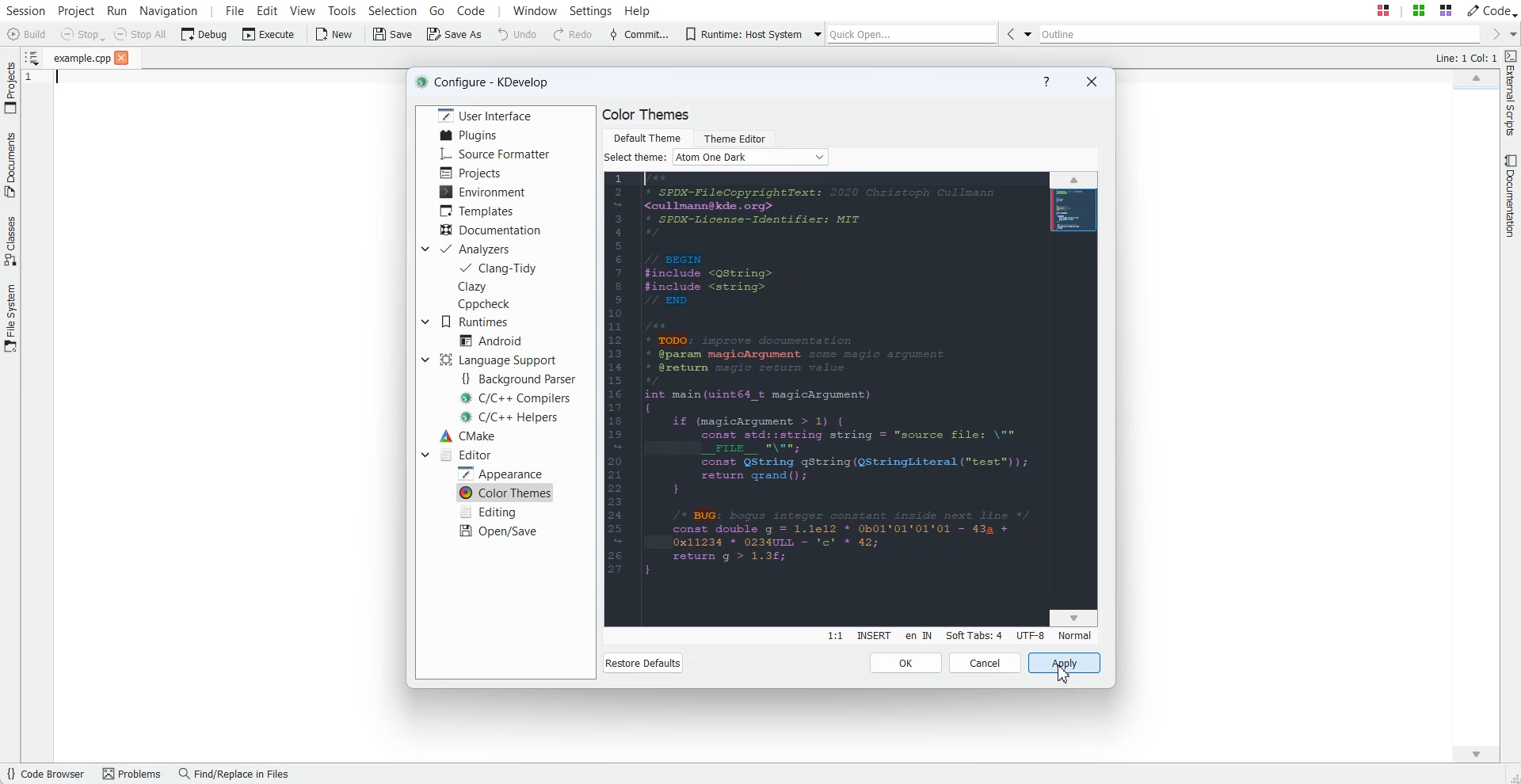  I want to click on Language Support, so click(497, 360).